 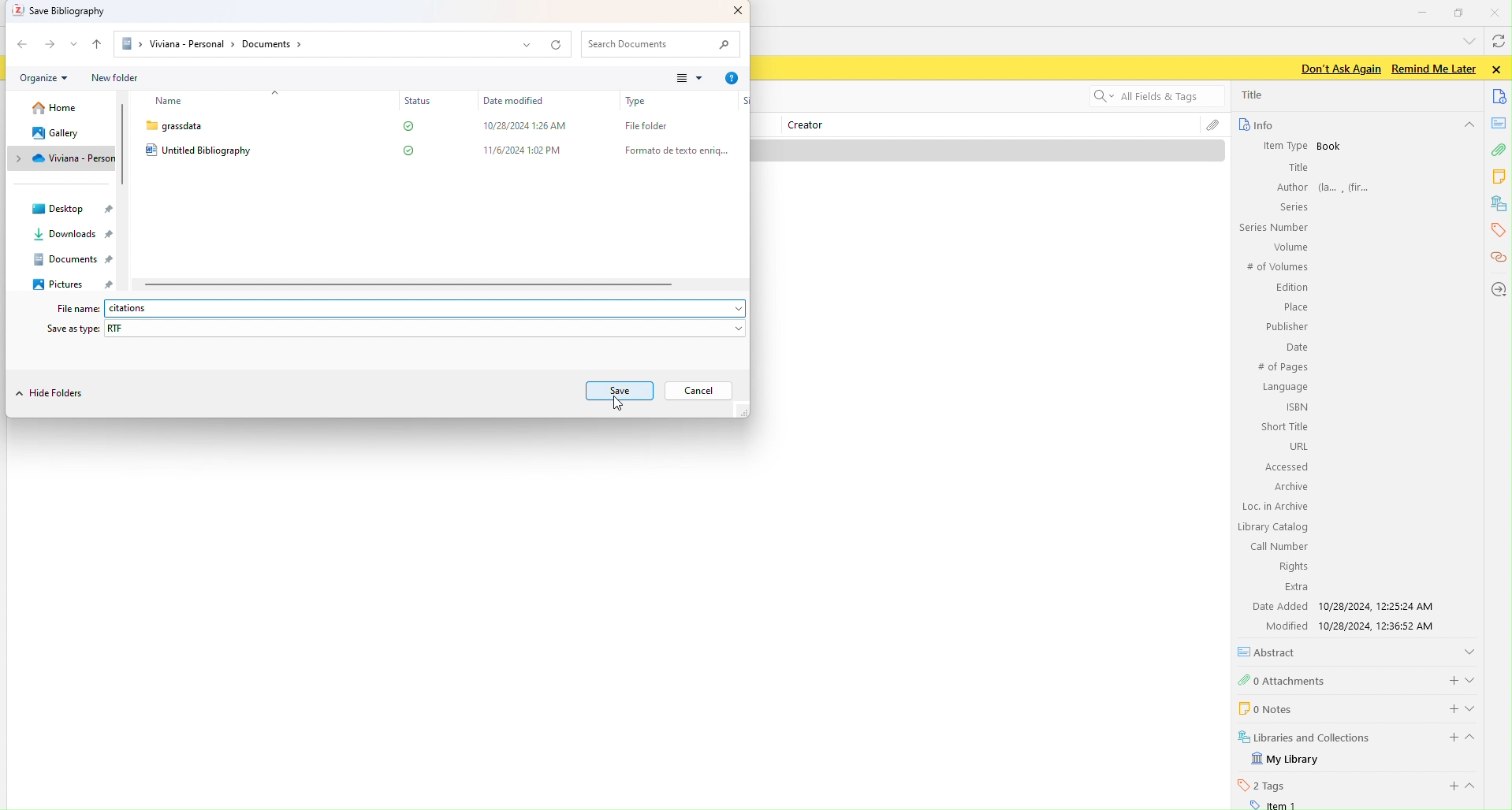 What do you see at coordinates (686, 80) in the screenshot?
I see `View` at bounding box center [686, 80].